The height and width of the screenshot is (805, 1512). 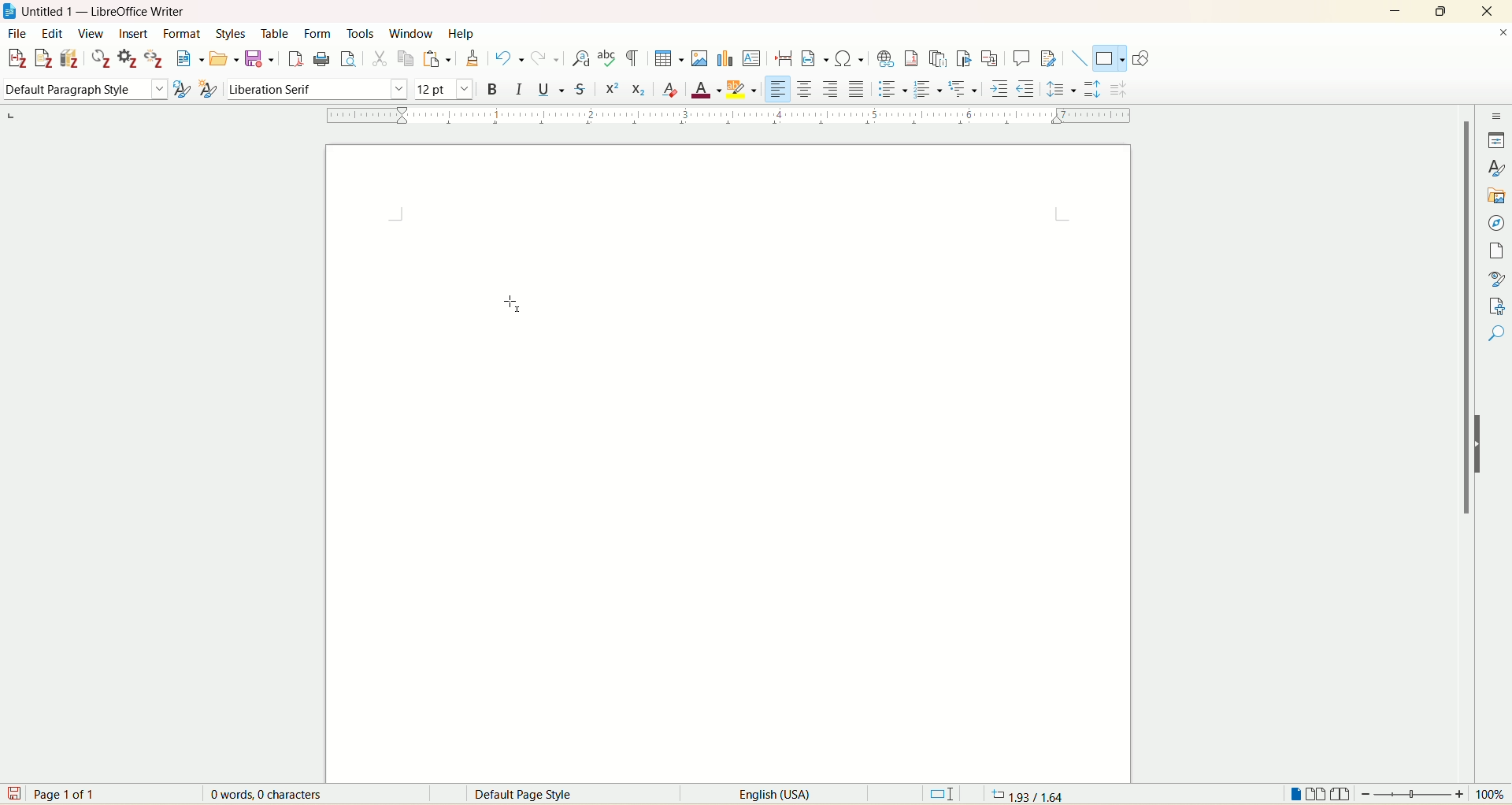 What do you see at coordinates (1485, 12) in the screenshot?
I see `close` at bounding box center [1485, 12].